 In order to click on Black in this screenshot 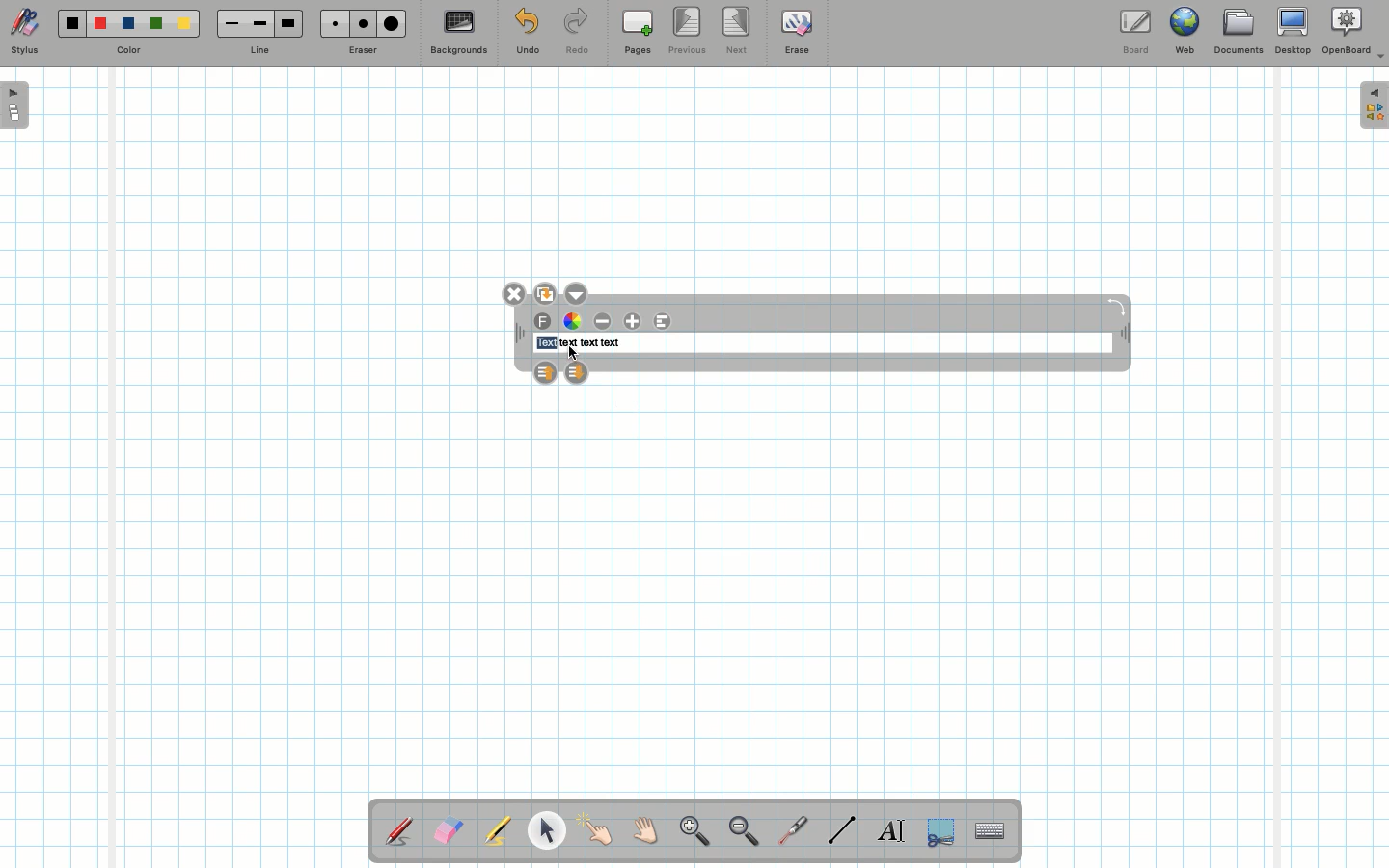, I will do `click(70, 23)`.